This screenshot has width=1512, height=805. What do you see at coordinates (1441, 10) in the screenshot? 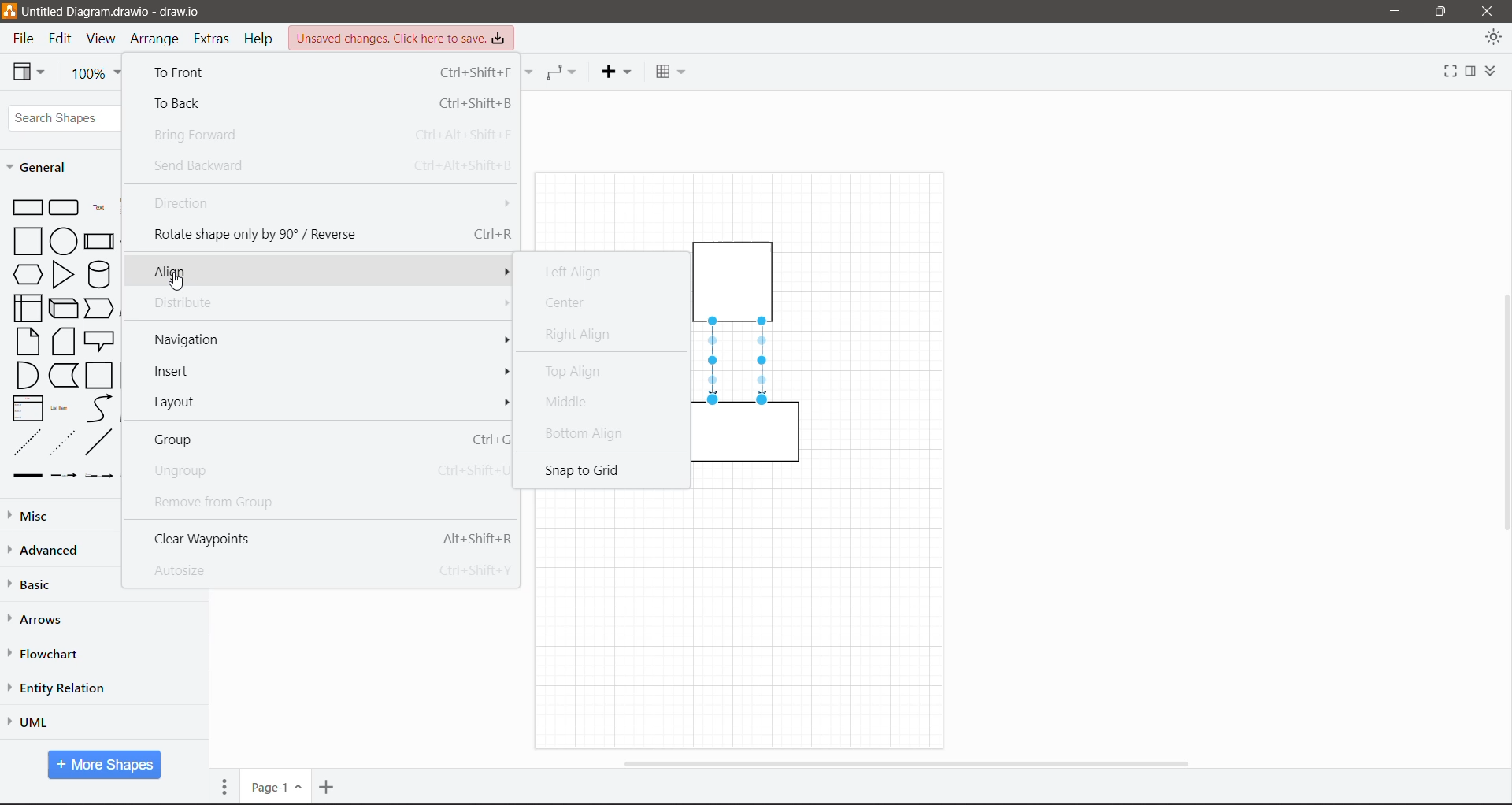
I see `Restore Down` at bounding box center [1441, 10].